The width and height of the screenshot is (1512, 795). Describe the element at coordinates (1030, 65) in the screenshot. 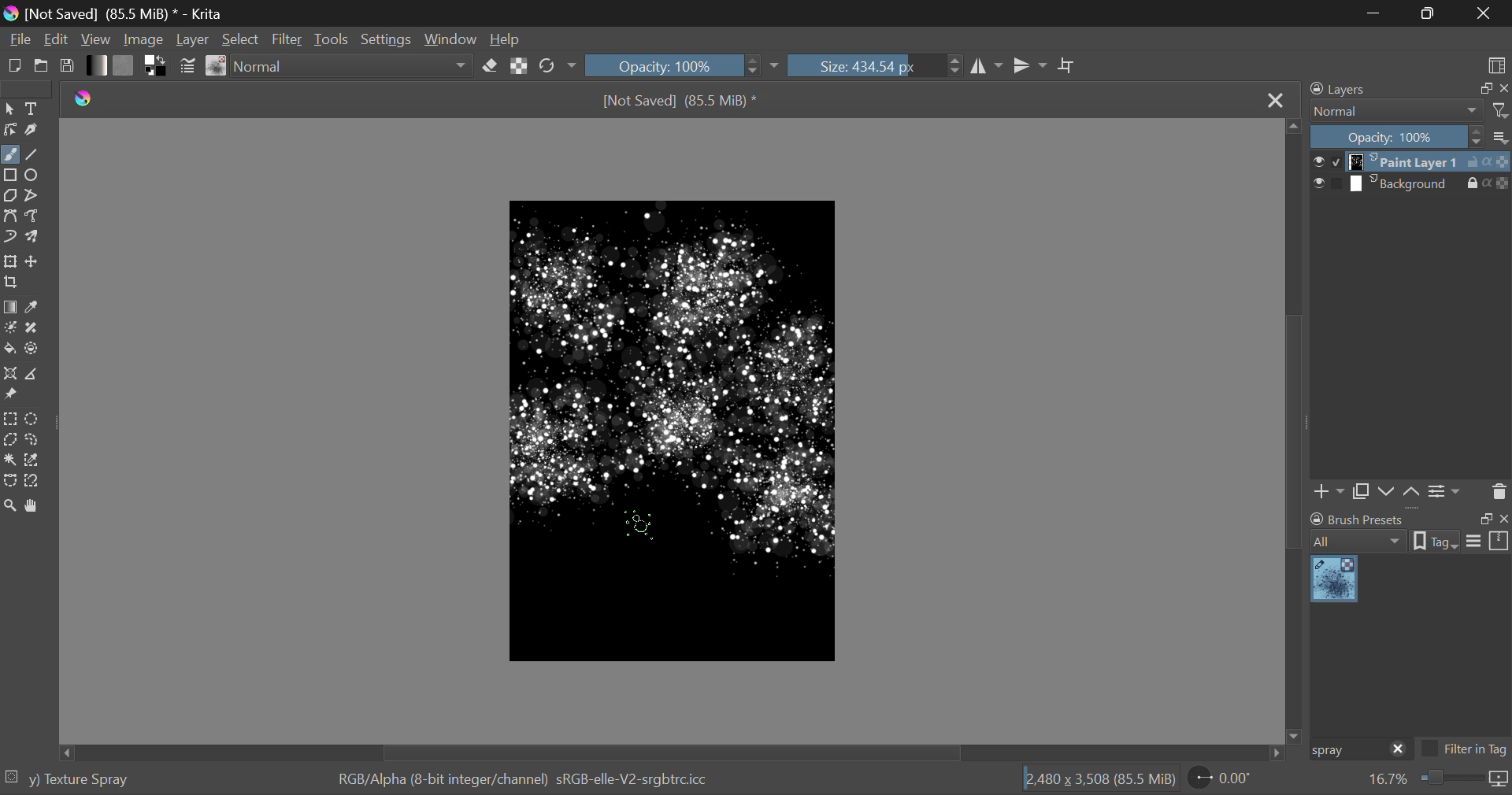

I see `Horizontal Mirror Flip` at that location.